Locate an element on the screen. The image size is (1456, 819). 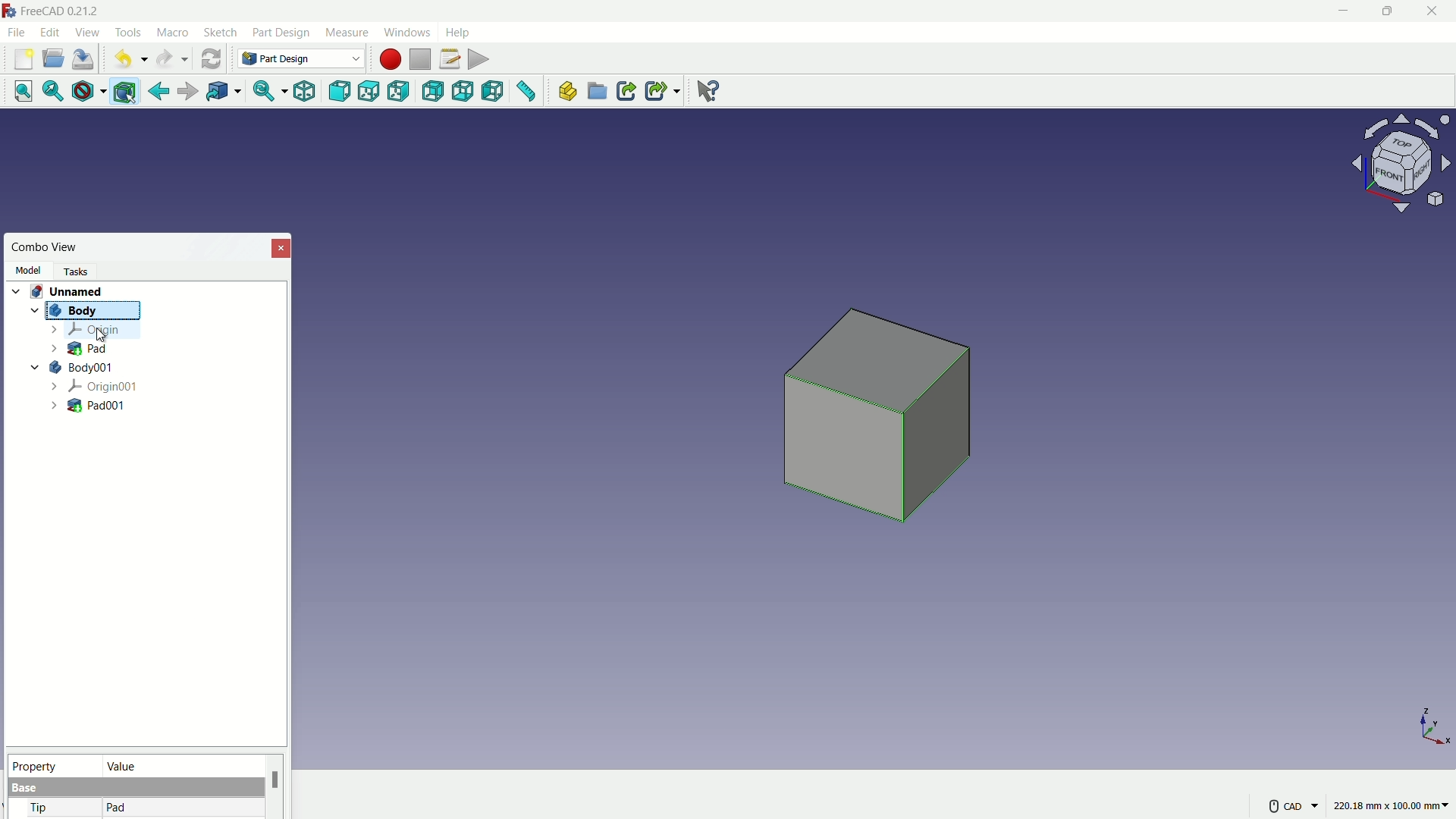
view is located at coordinates (86, 32).